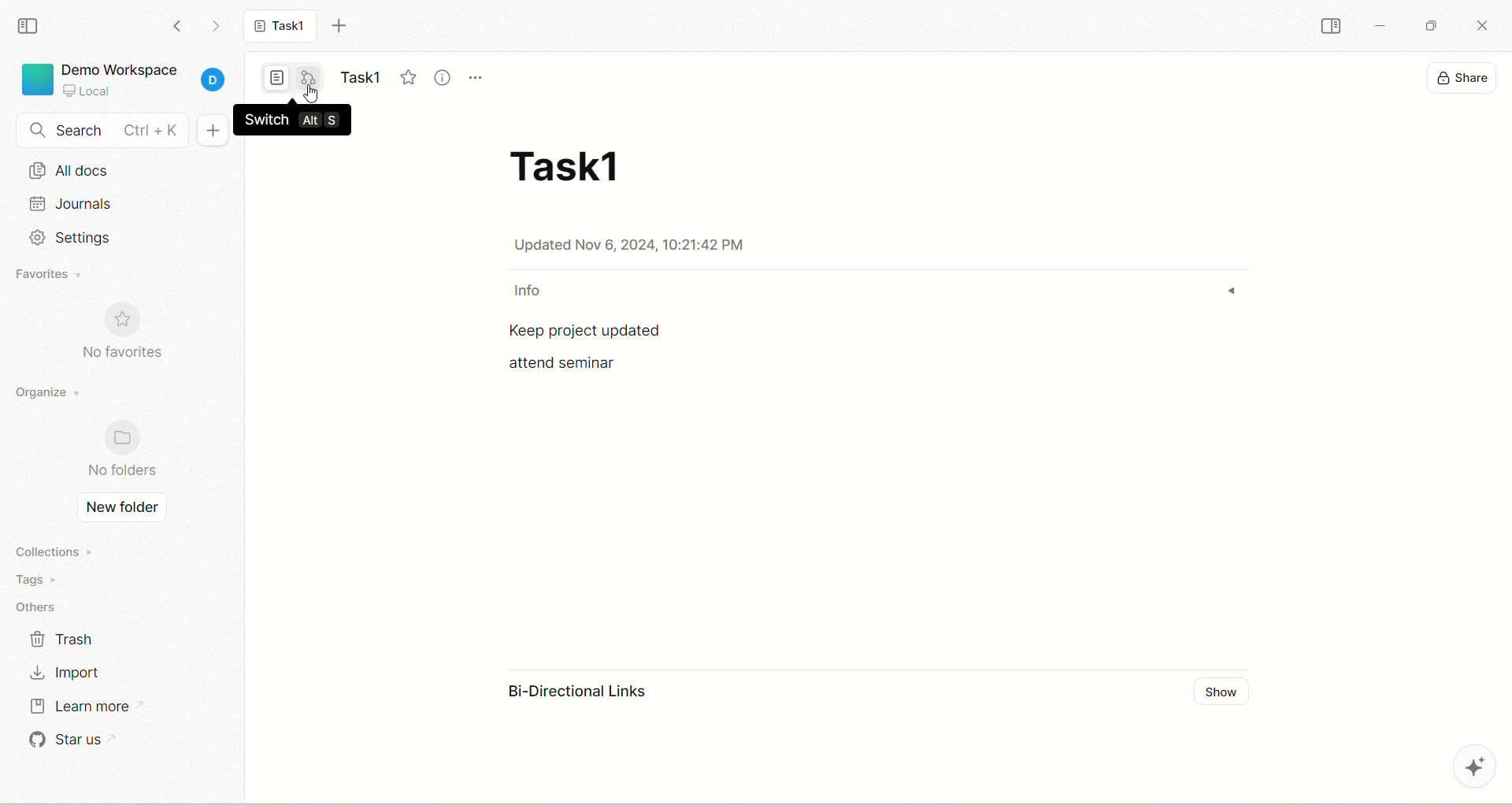 Image resolution: width=1512 pixels, height=805 pixels. I want to click on account, so click(213, 81).